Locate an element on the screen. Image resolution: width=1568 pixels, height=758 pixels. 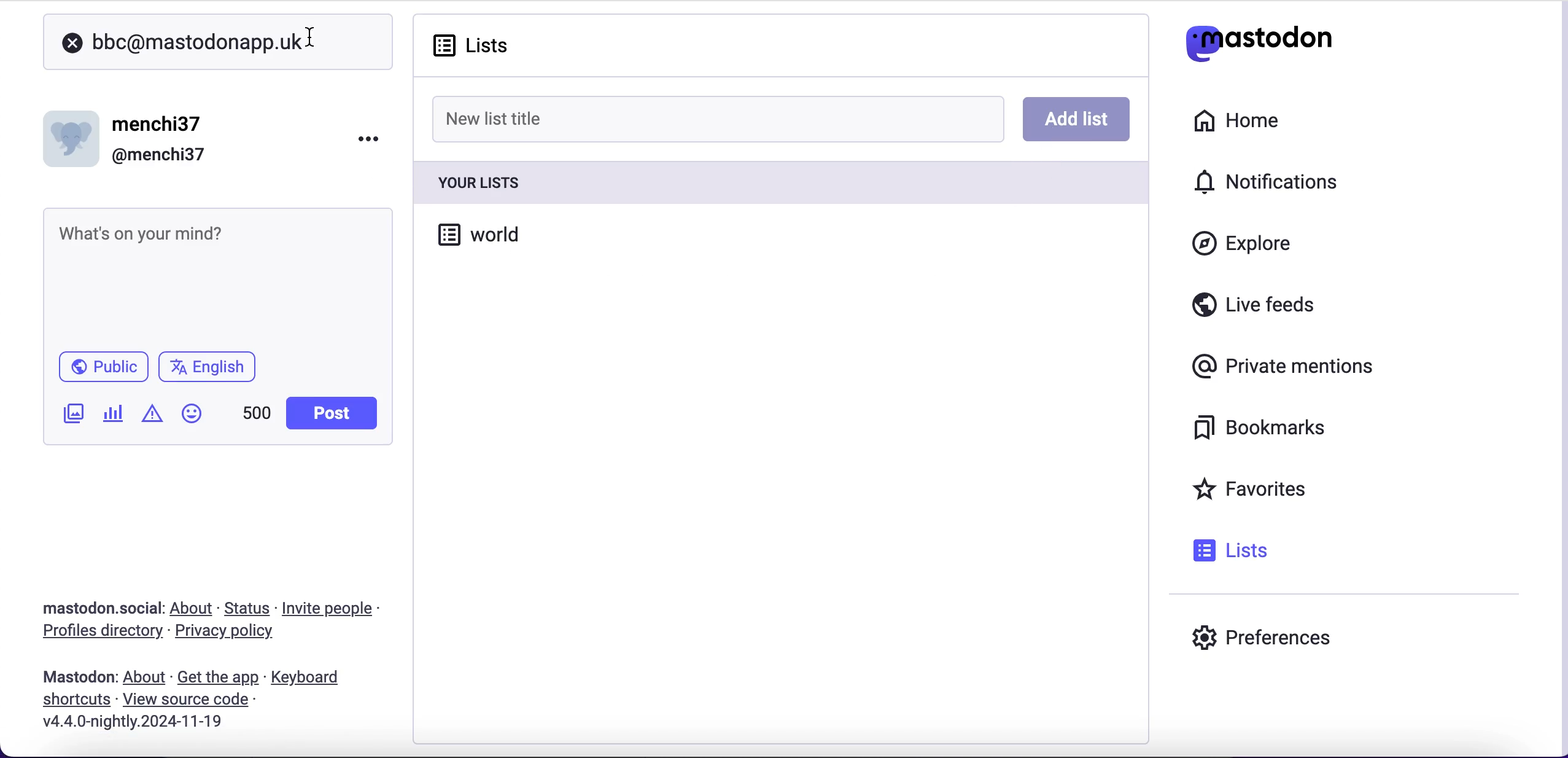
cursor is located at coordinates (312, 39).